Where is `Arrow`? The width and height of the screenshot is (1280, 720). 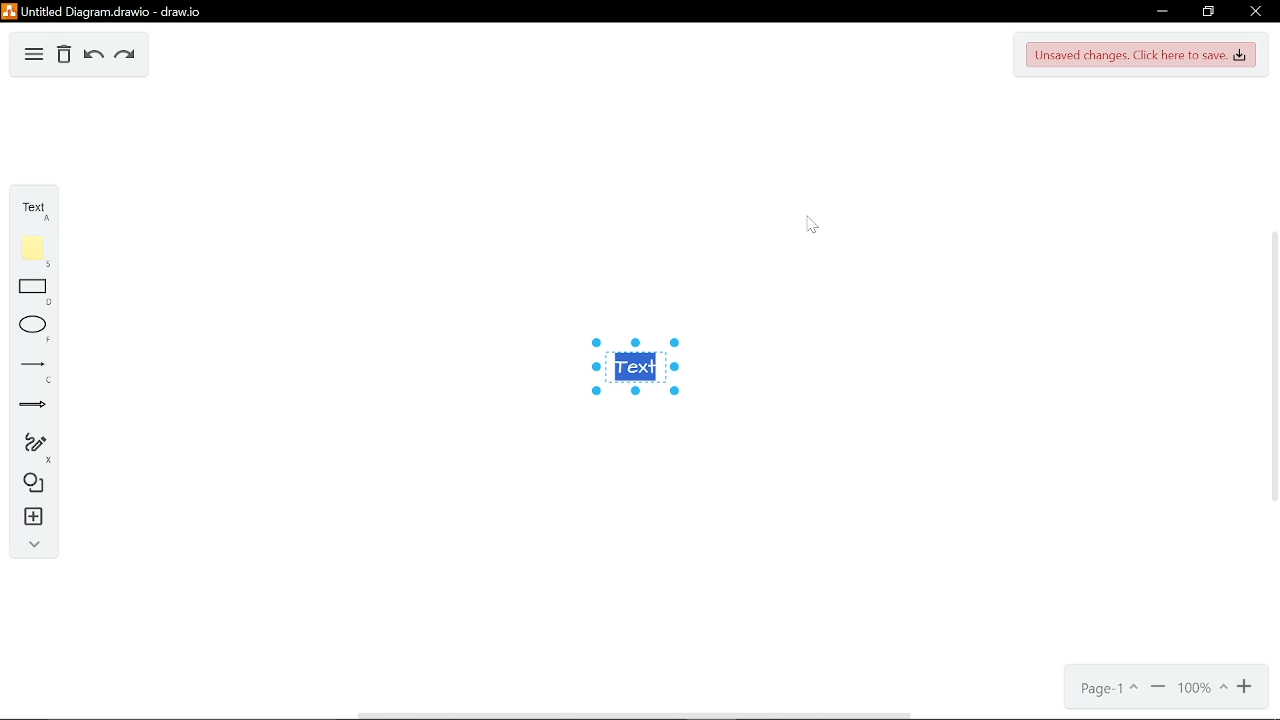 Arrow is located at coordinates (29, 408).